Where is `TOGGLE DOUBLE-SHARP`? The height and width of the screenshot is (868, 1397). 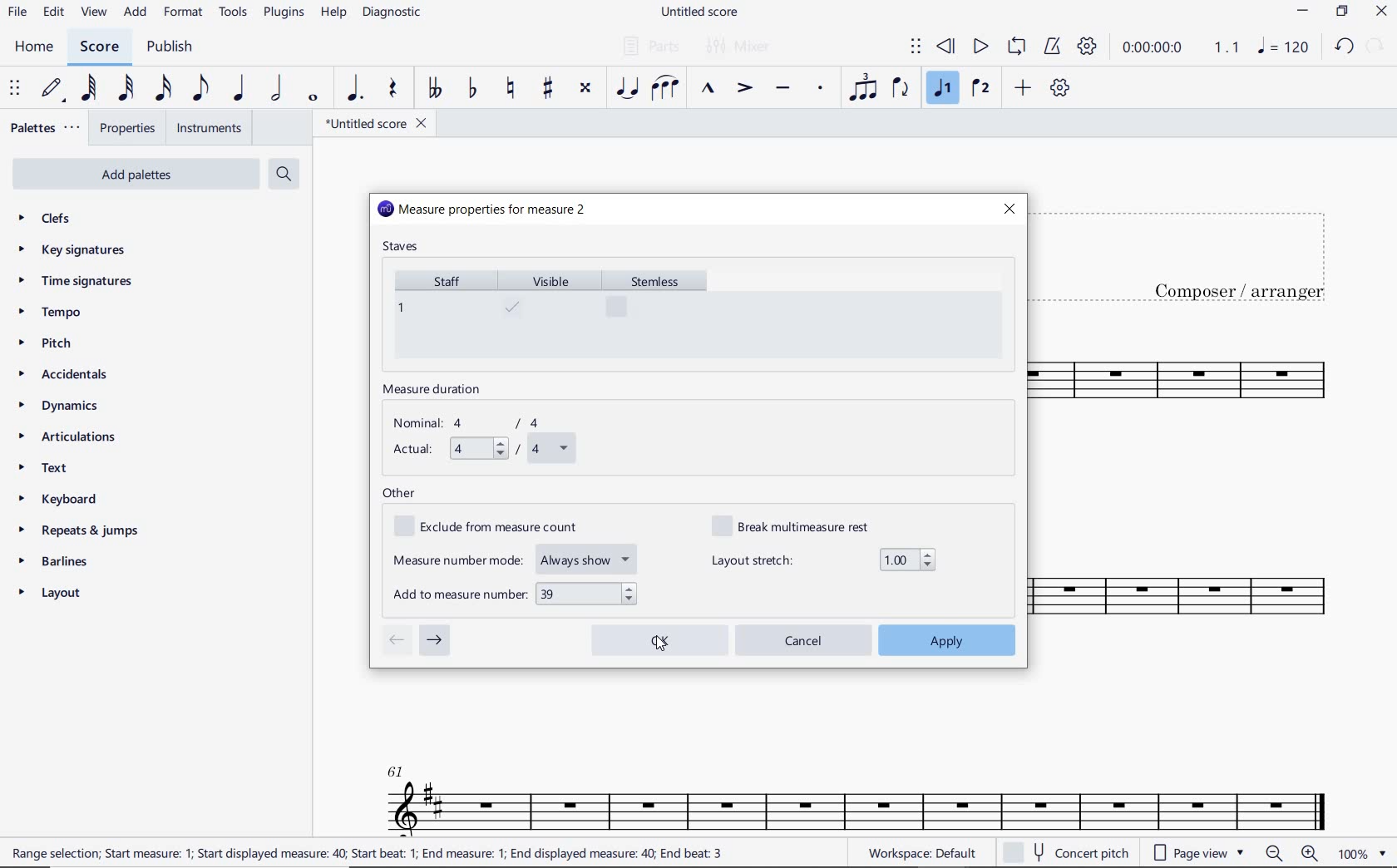 TOGGLE DOUBLE-SHARP is located at coordinates (585, 88).